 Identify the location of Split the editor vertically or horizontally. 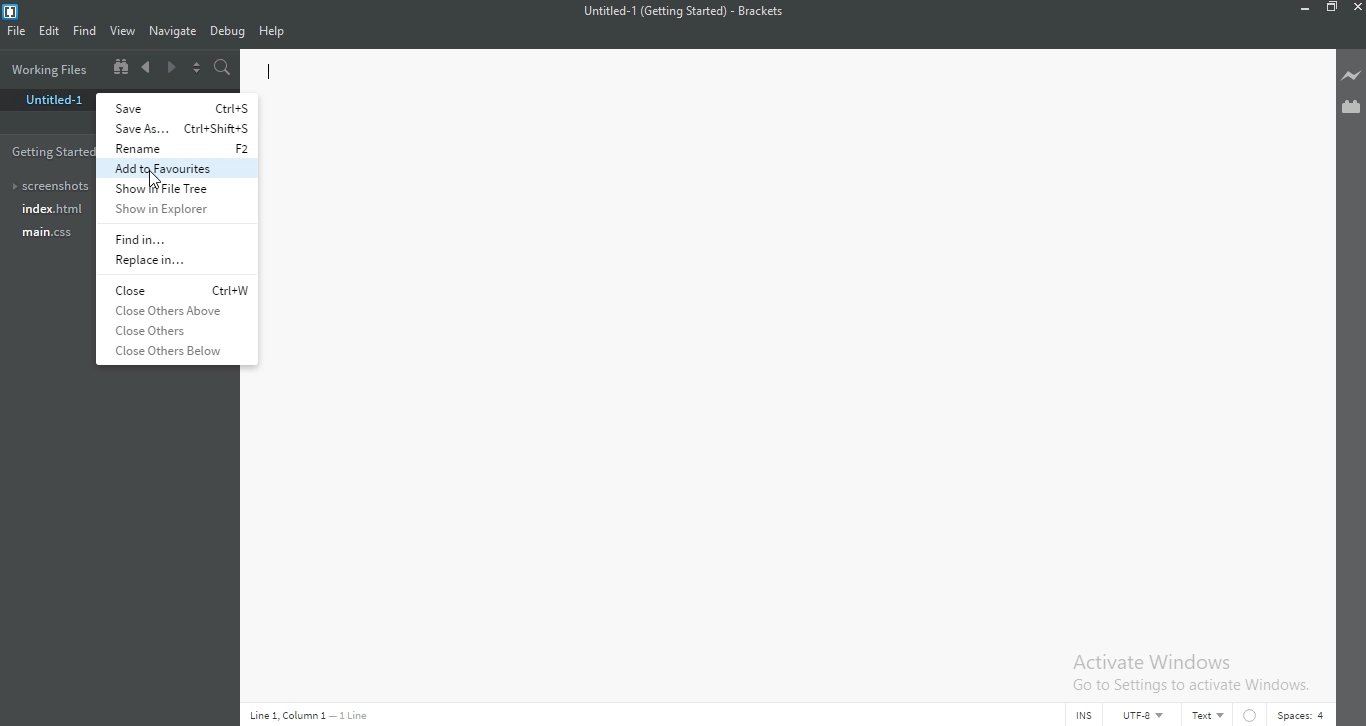
(196, 68).